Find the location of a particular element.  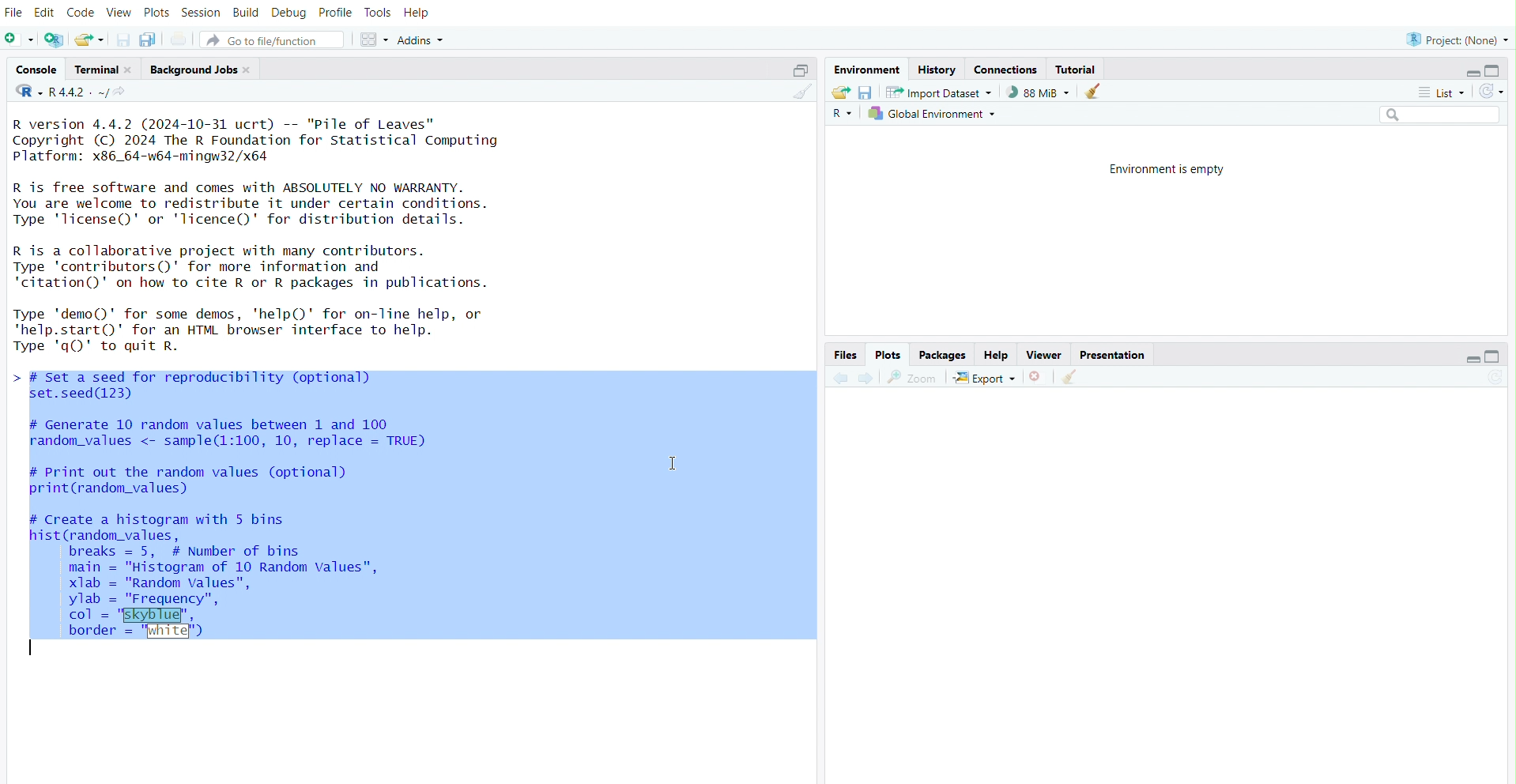

session is located at coordinates (203, 10).